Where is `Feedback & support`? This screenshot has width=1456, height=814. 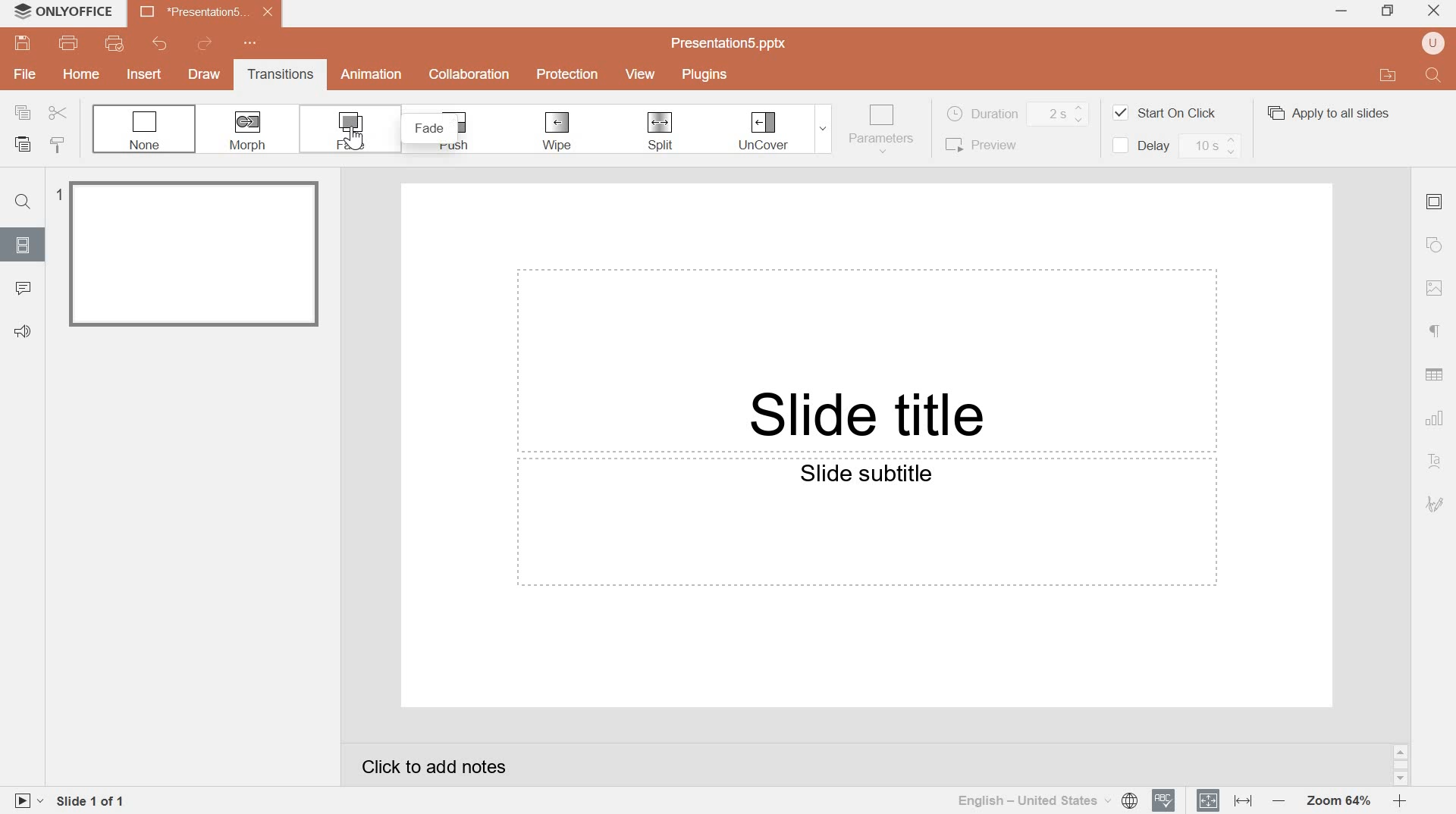 Feedback & support is located at coordinates (24, 333).